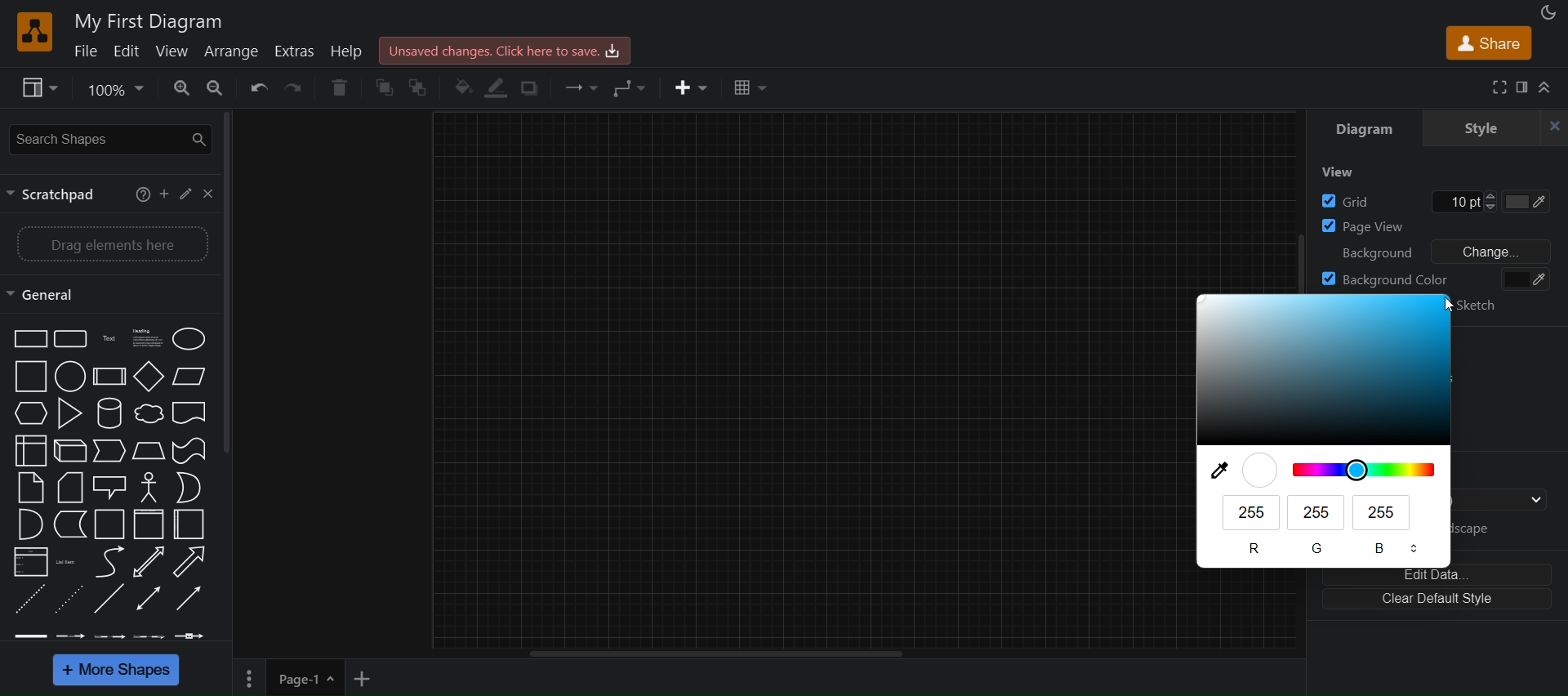 The width and height of the screenshot is (1568, 696). What do you see at coordinates (1434, 225) in the screenshot?
I see `page view` at bounding box center [1434, 225].